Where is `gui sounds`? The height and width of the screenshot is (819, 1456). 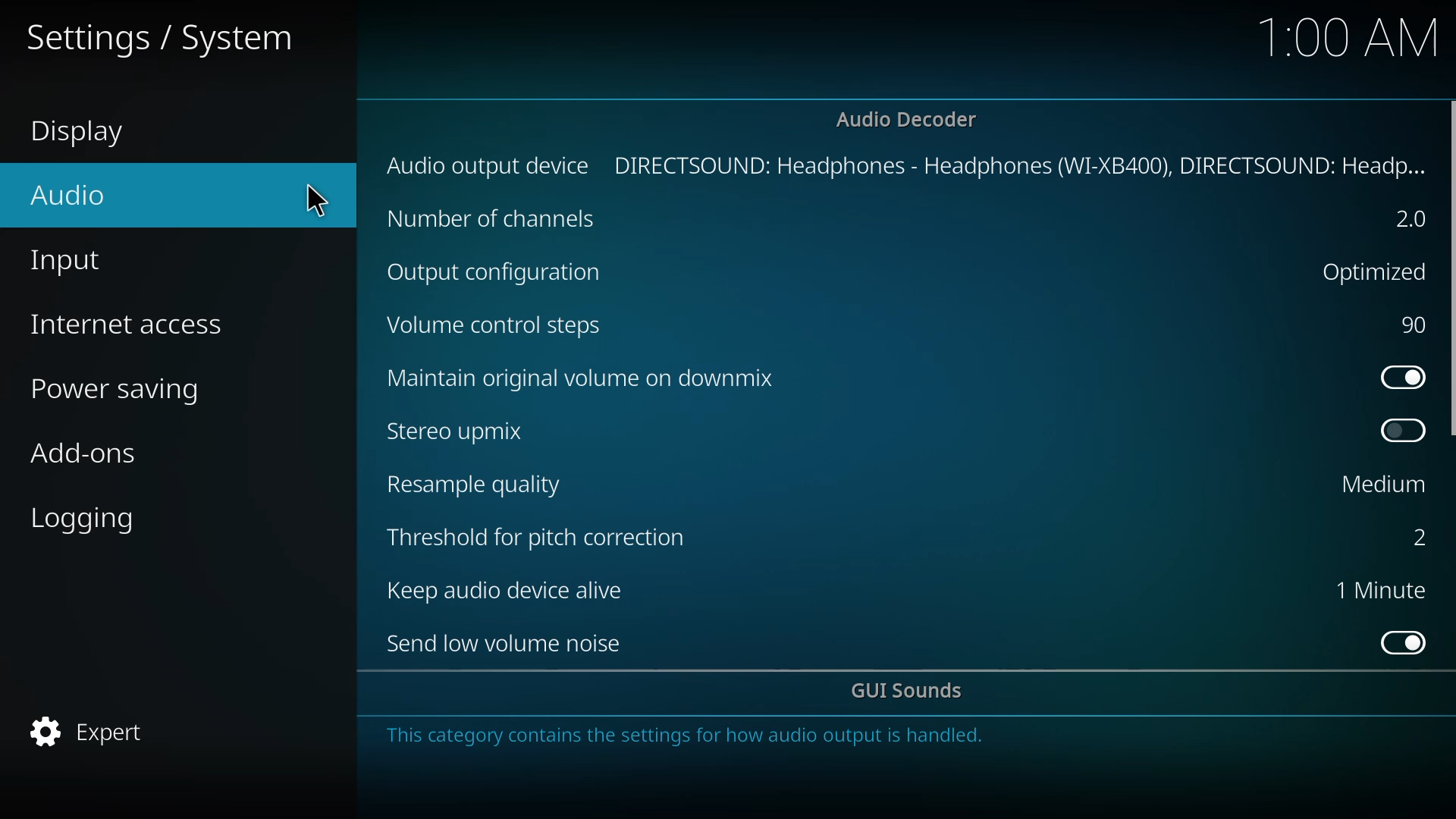 gui sounds is located at coordinates (911, 692).